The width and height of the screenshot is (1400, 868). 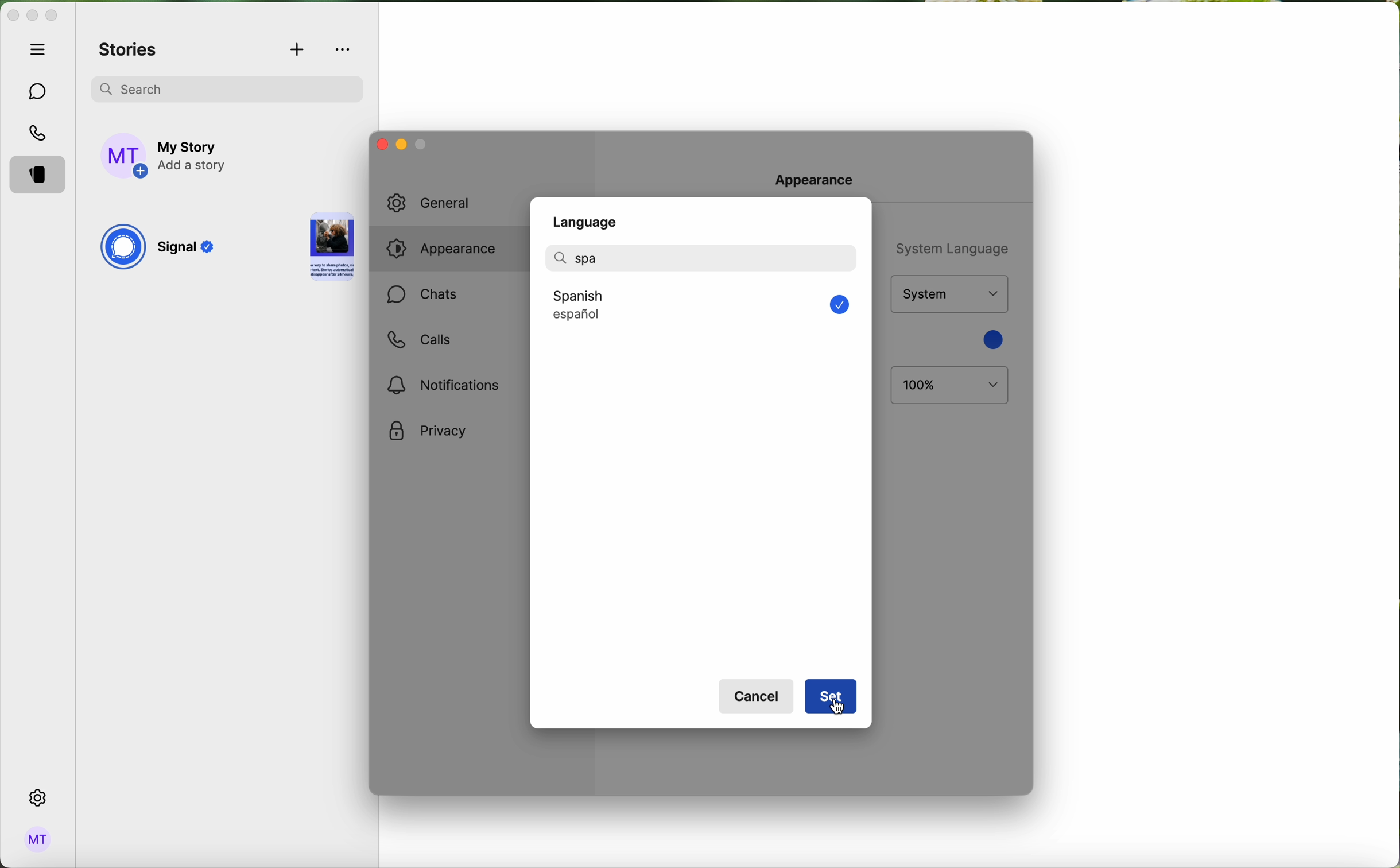 What do you see at coordinates (447, 385) in the screenshot?
I see `Notifications` at bounding box center [447, 385].